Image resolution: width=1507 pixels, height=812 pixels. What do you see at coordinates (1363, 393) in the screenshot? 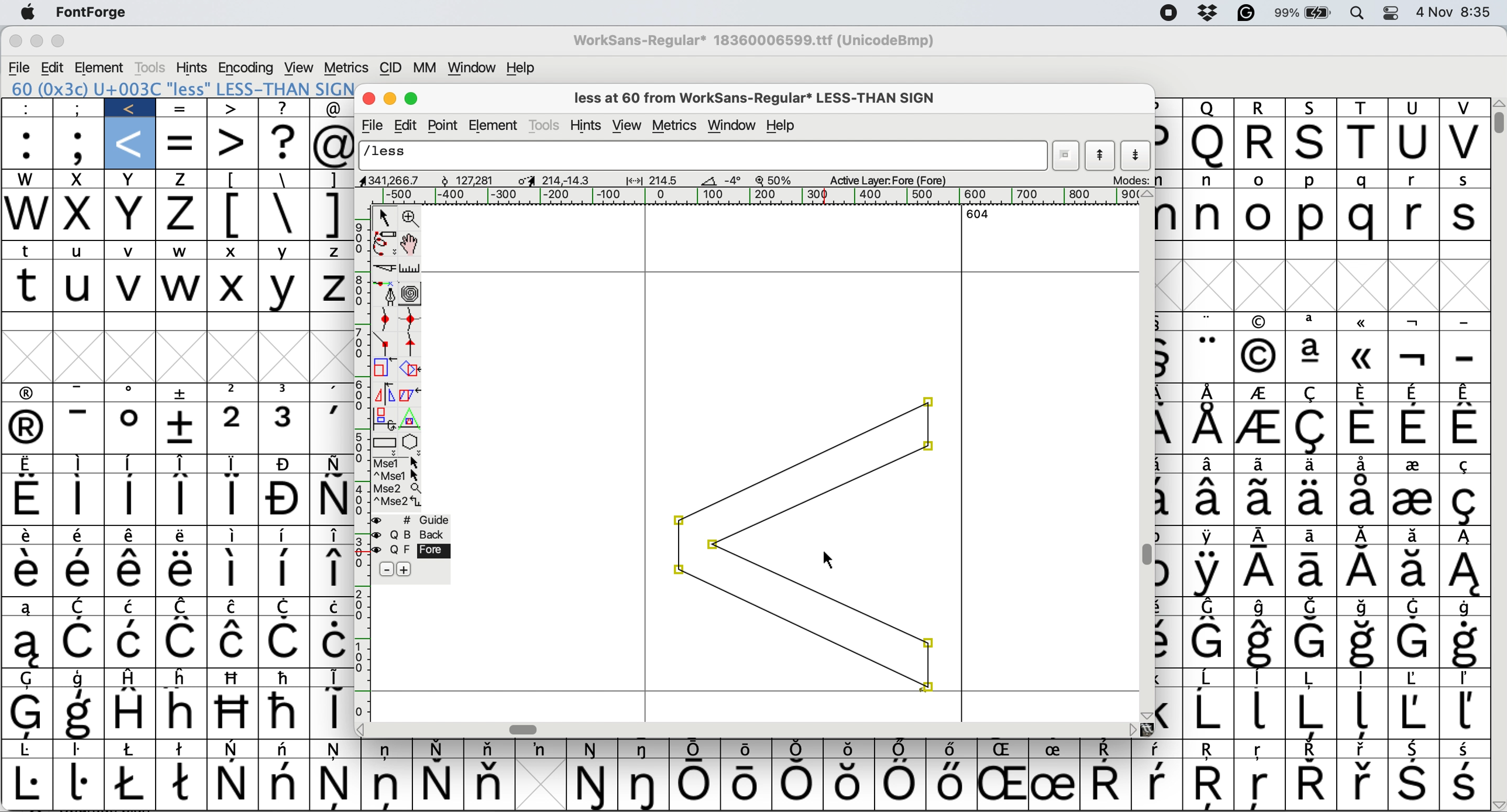
I see `Symbol` at bounding box center [1363, 393].